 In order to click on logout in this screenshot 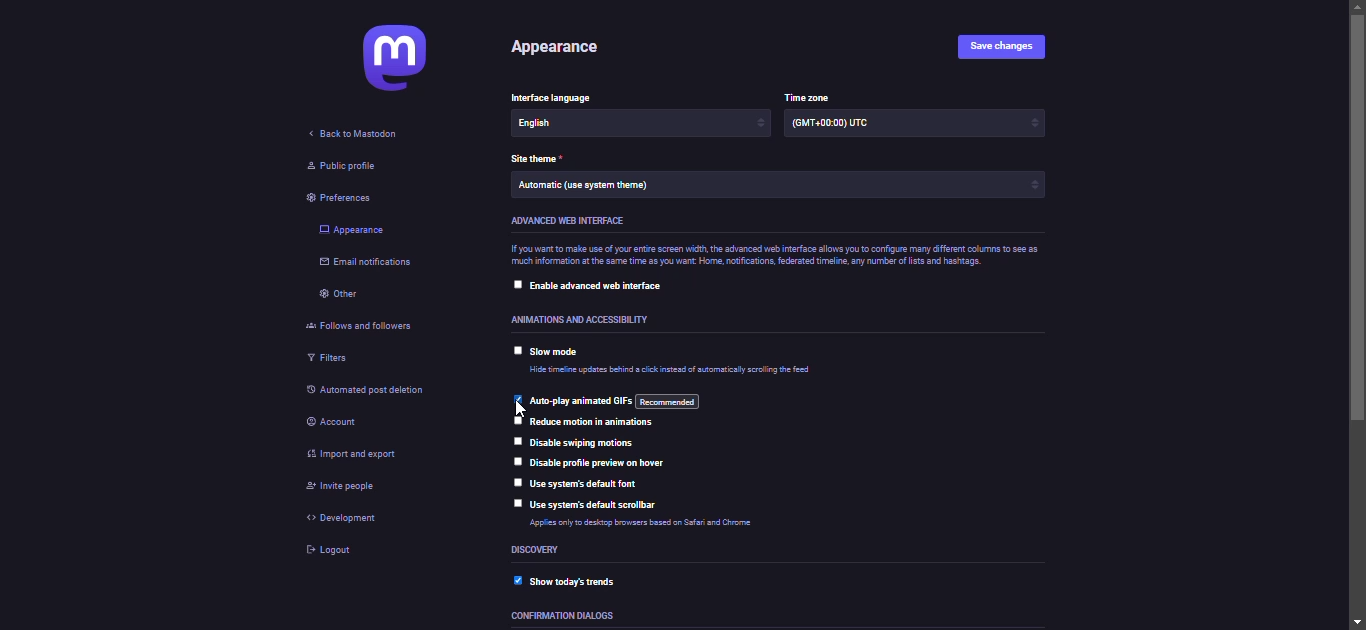, I will do `click(322, 552)`.